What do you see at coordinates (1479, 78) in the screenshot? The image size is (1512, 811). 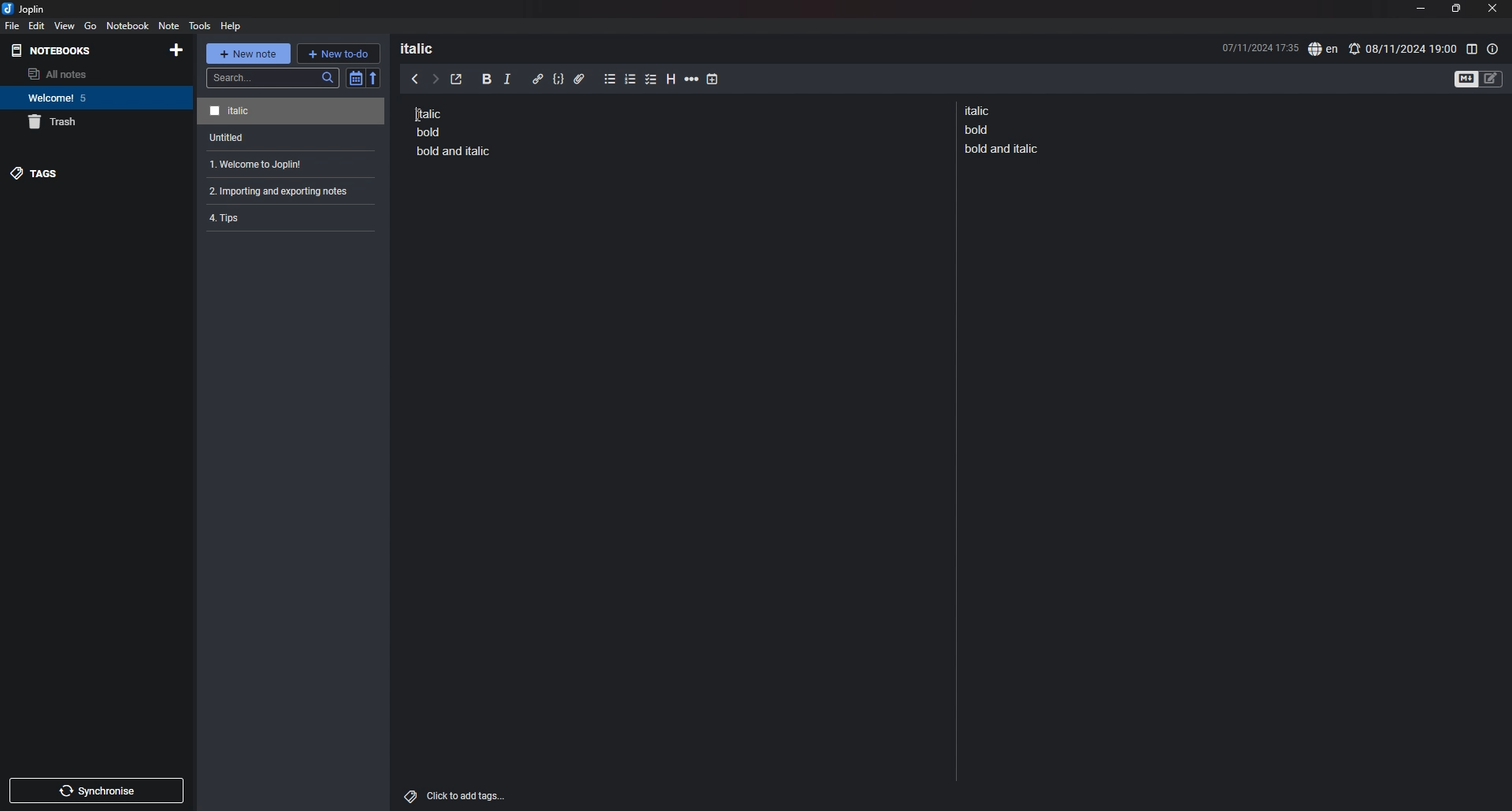 I see `toggle editors` at bounding box center [1479, 78].